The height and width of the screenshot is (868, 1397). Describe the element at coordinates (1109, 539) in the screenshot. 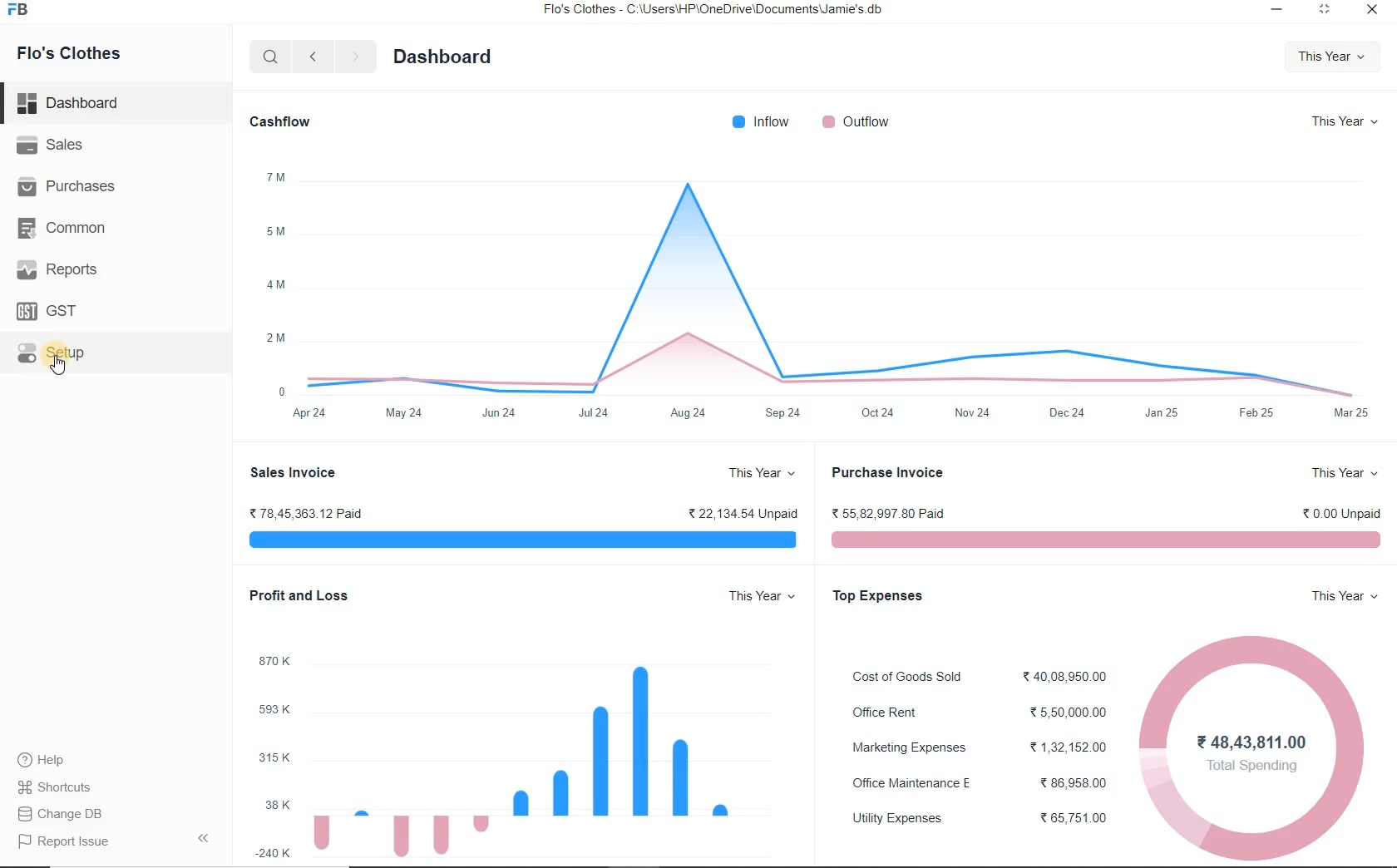

I see `Pink color indication` at that location.